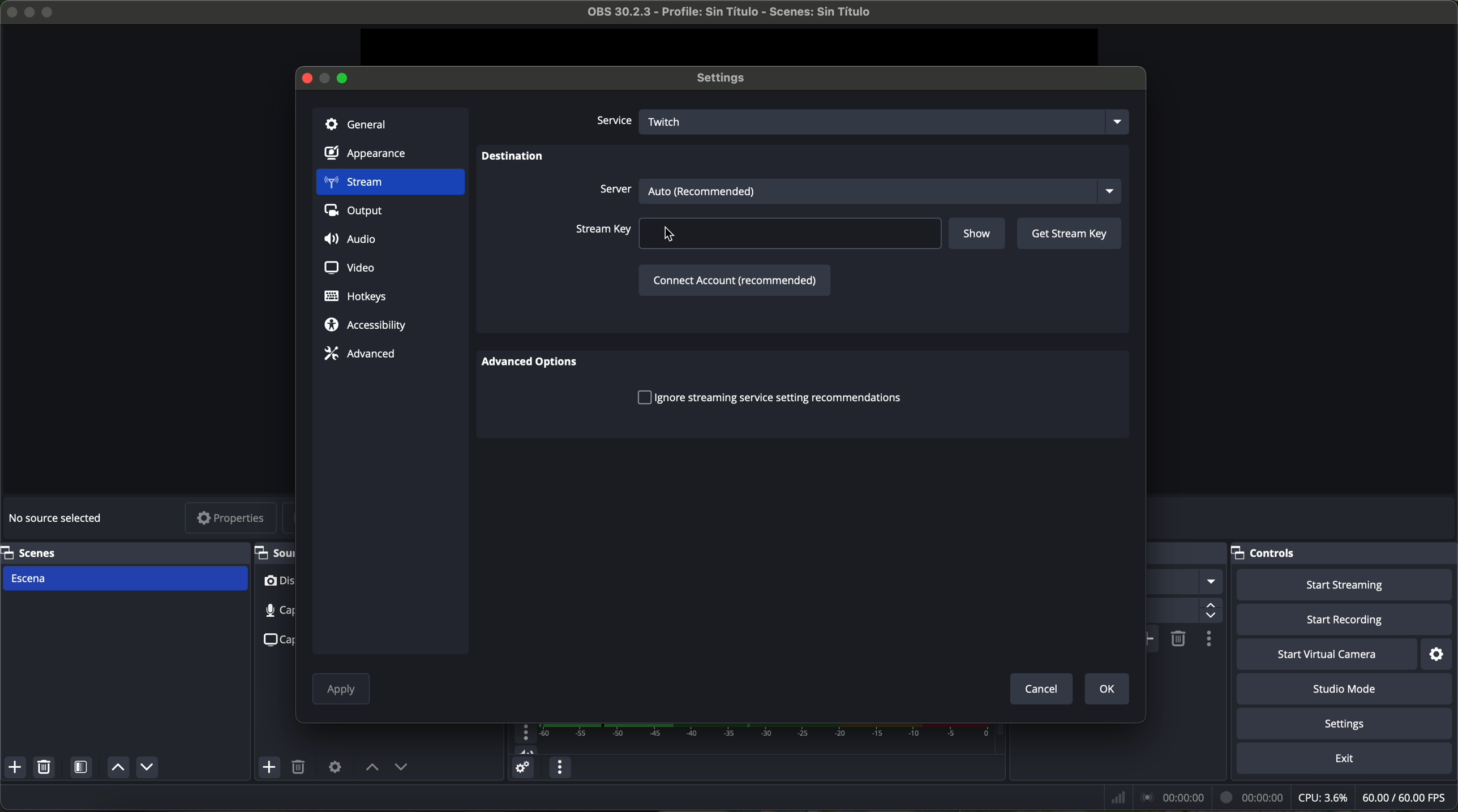 The image size is (1458, 812). What do you see at coordinates (50, 12) in the screenshot?
I see `maximize` at bounding box center [50, 12].